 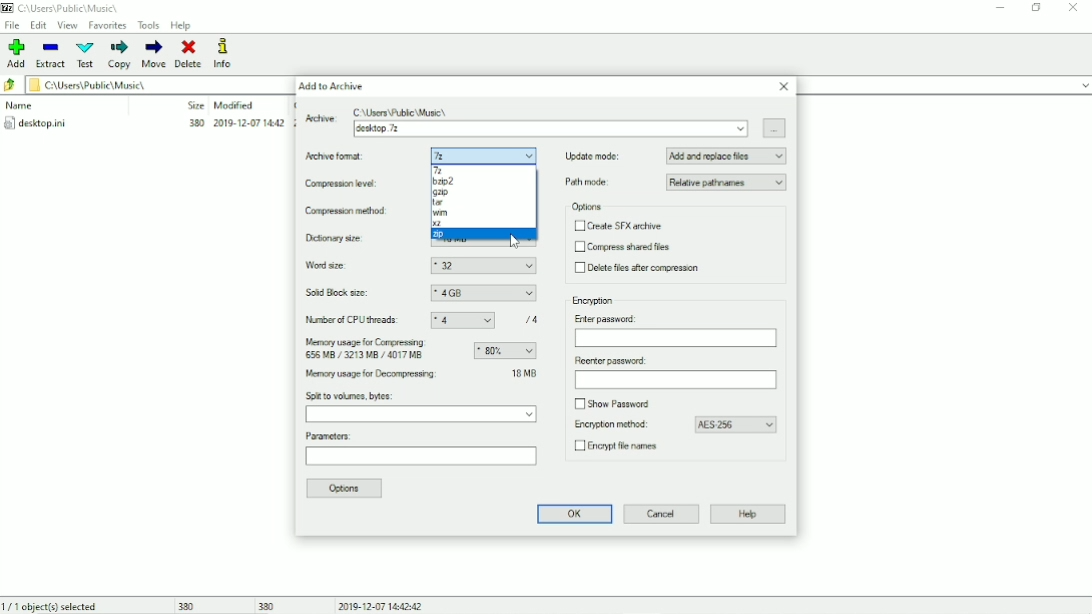 What do you see at coordinates (516, 242) in the screenshot?
I see `Cursor` at bounding box center [516, 242].